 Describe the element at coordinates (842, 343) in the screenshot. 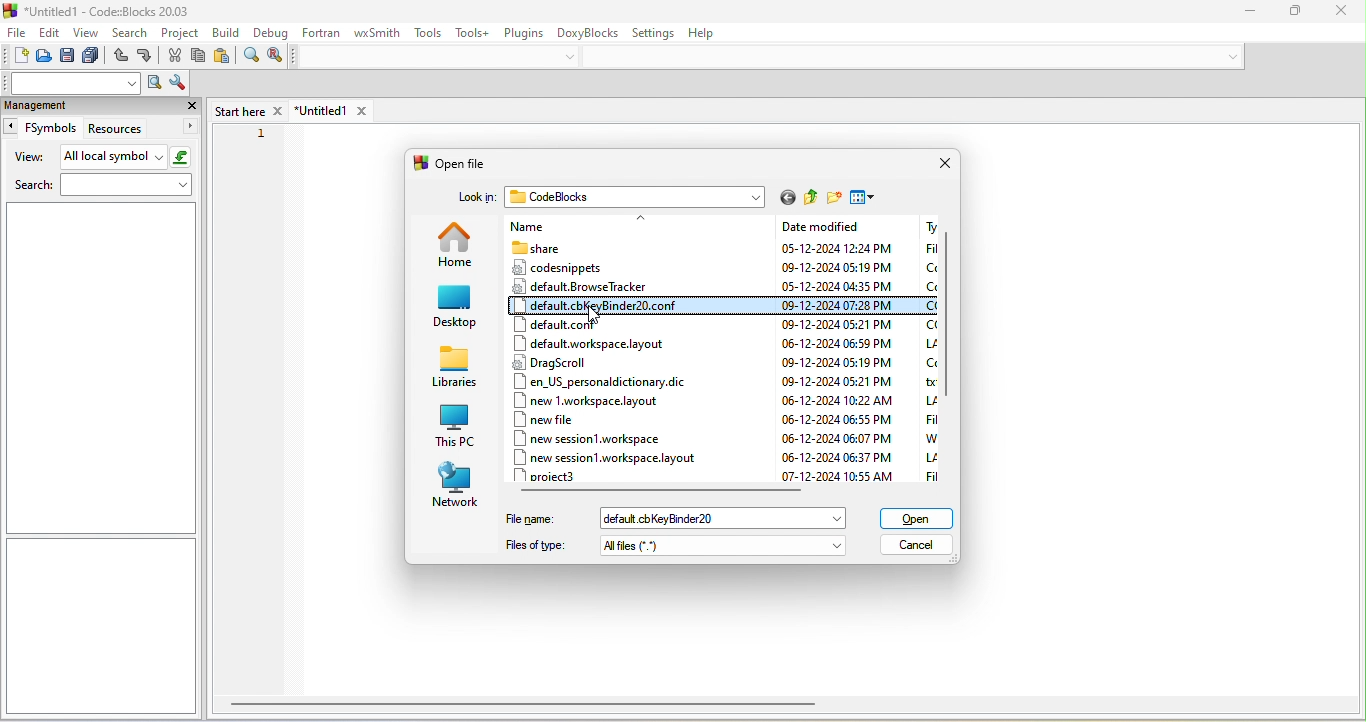

I see `date` at that location.